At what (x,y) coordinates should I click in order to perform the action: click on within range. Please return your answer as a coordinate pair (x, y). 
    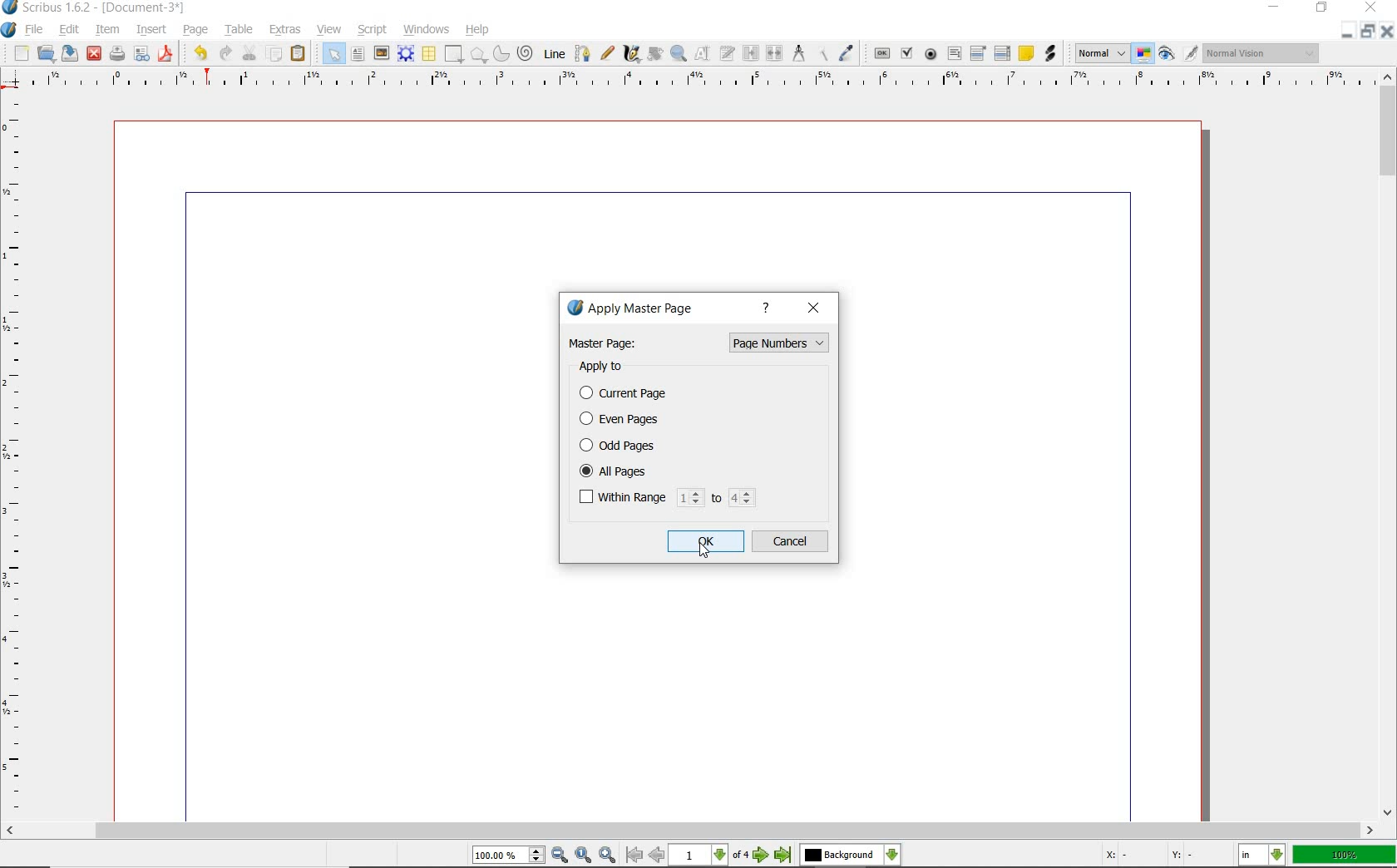
    Looking at the image, I should click on (666, 498).